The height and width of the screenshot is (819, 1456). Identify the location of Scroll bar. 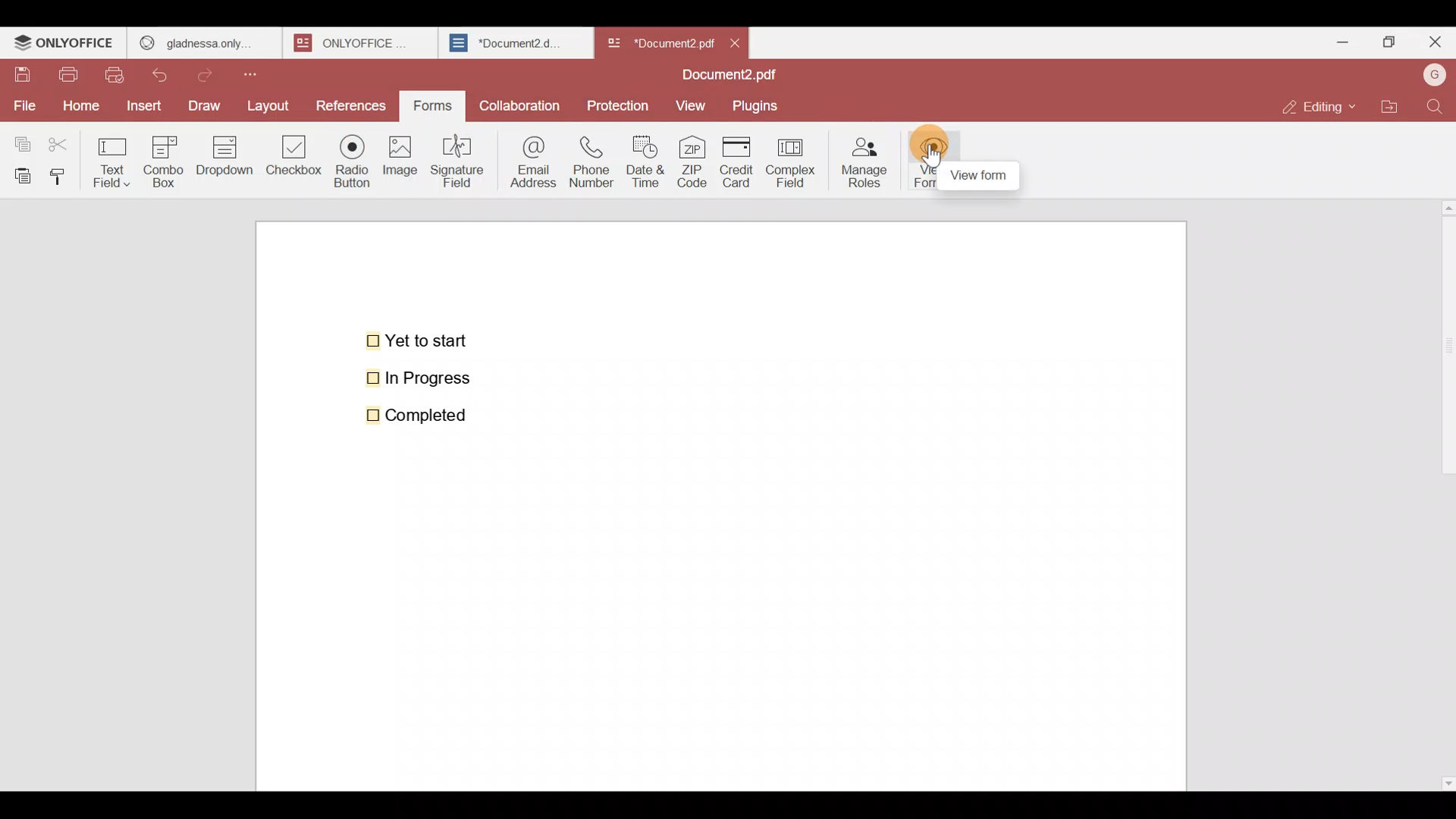
(1443, 491).